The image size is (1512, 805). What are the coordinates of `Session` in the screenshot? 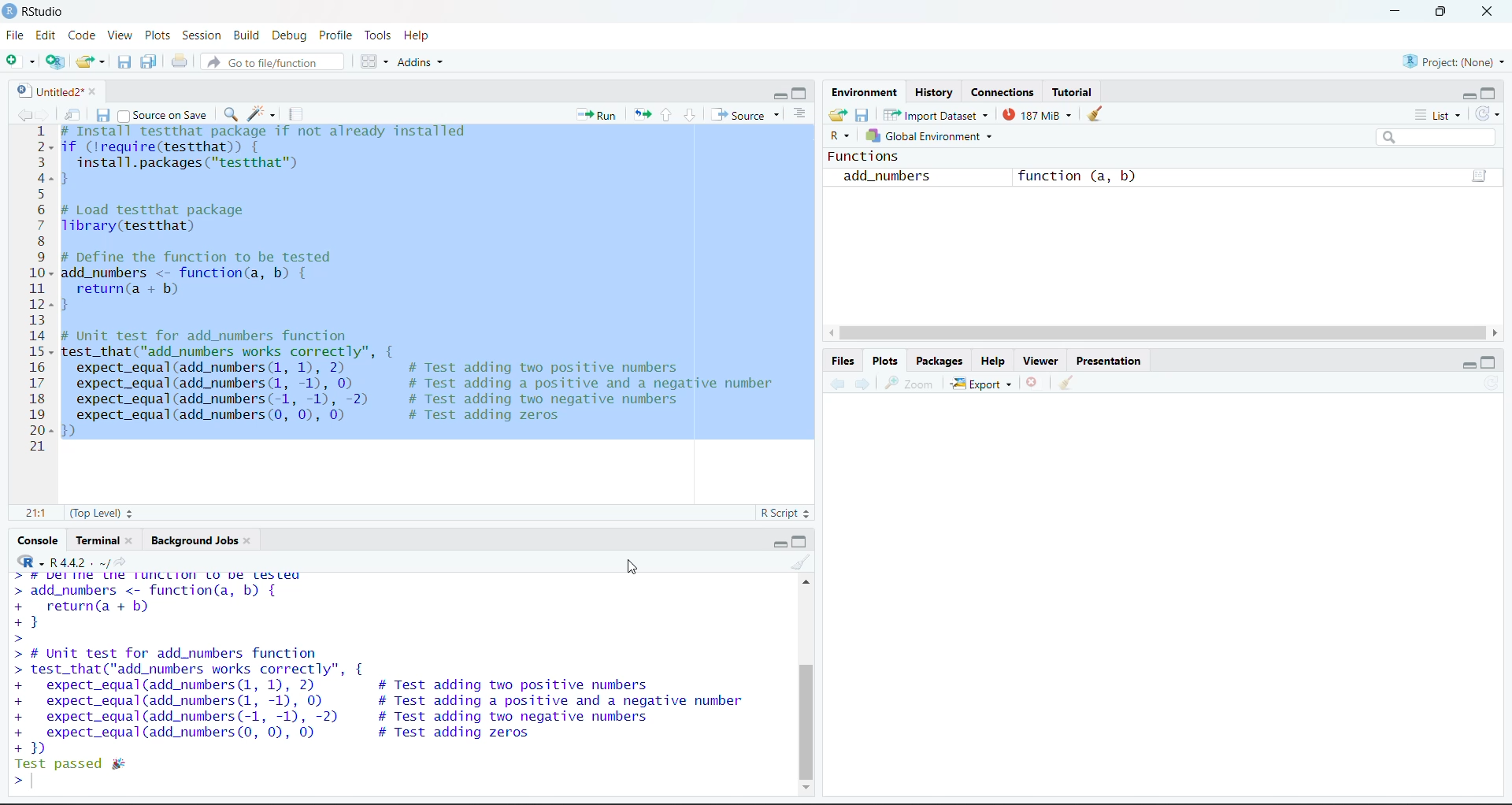 It's located at (202, 35).